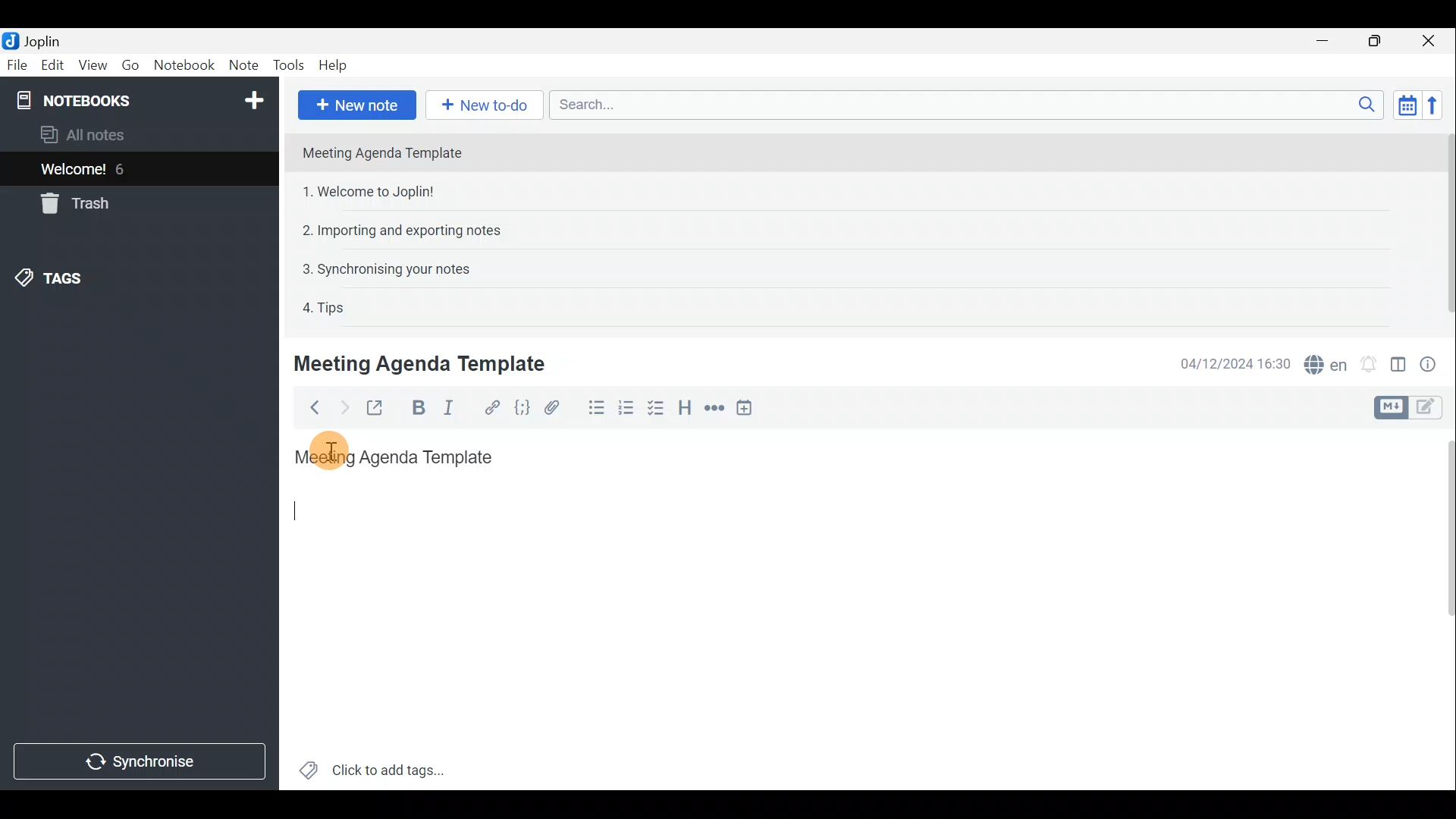 The height and width of the screenshot is (819, 1456). Describe the element at coordinates (42, 40) in the screenshot. I see `Joplin` at that location.